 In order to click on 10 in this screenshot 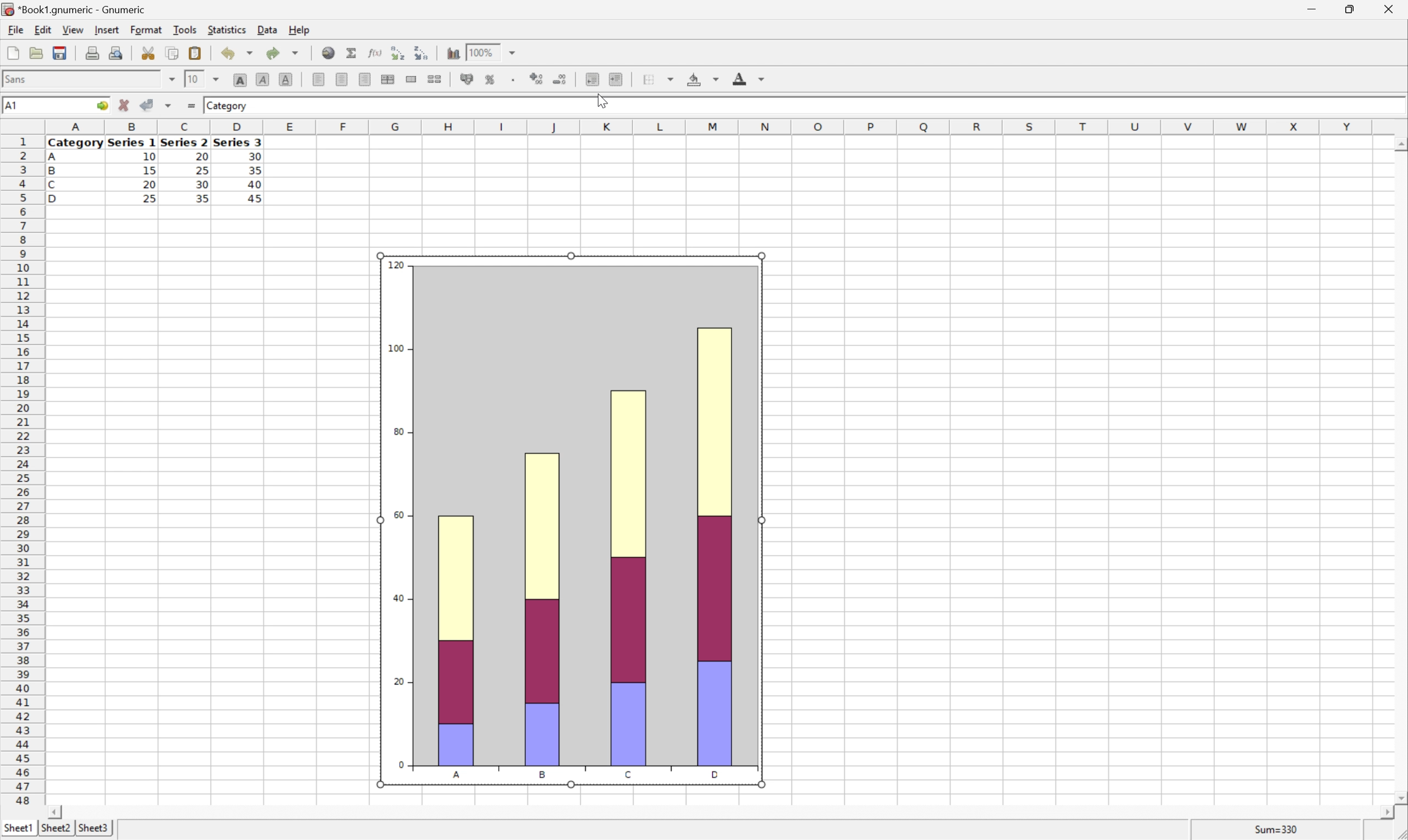, I will do `click(149, 157)`.